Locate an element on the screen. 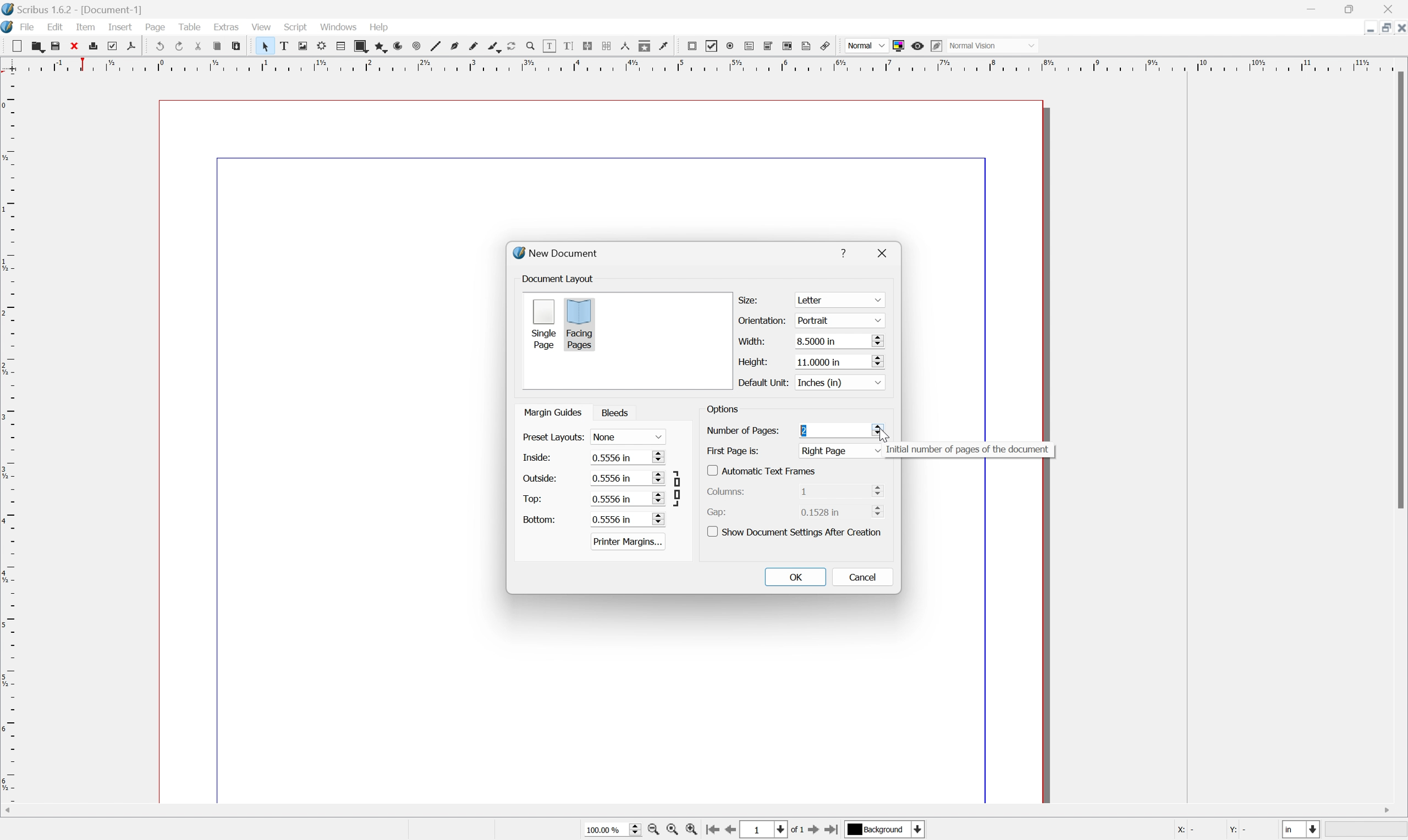  Copy is located at coordinates (220, 47).